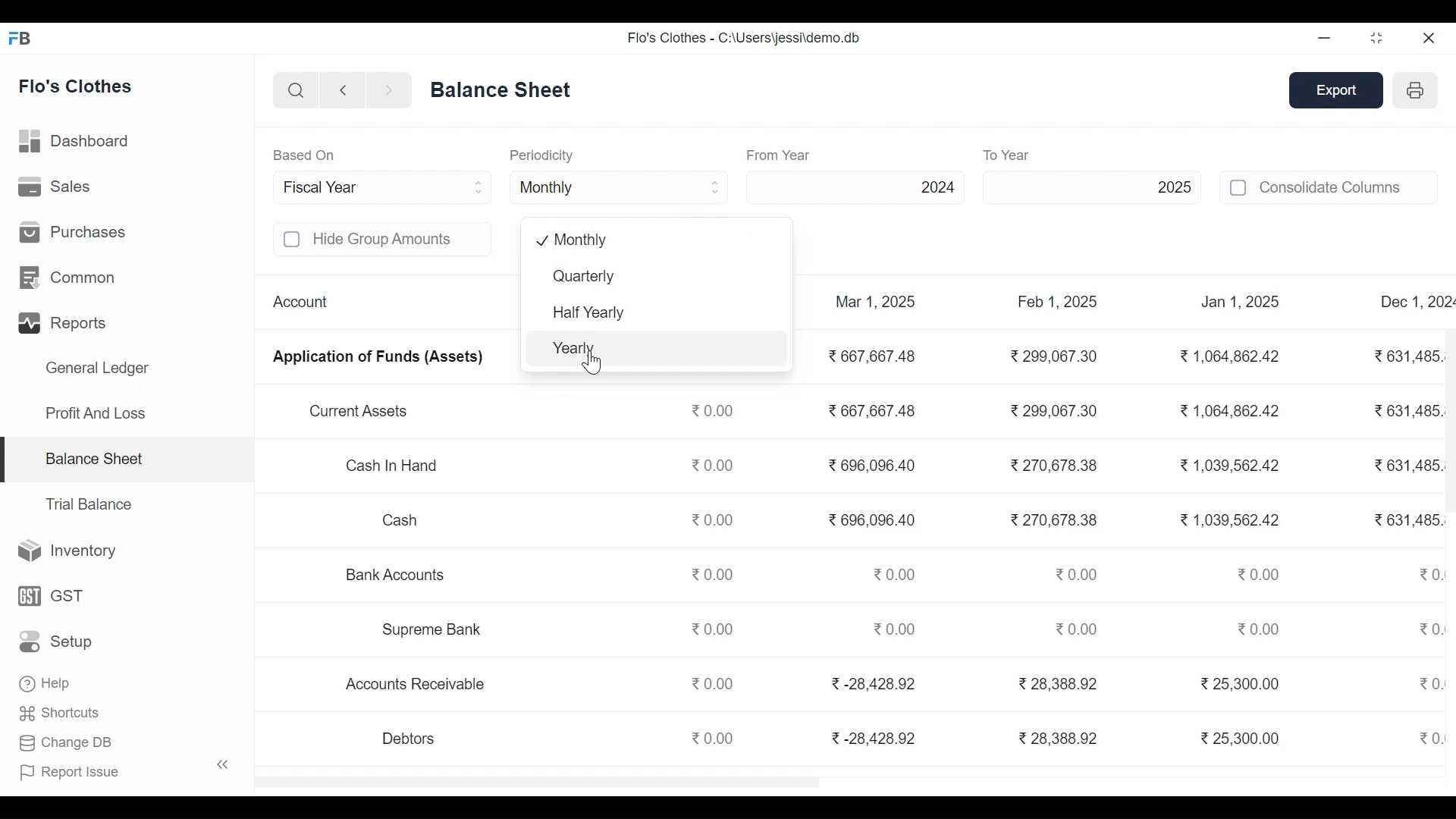  What do you see at coordinates (794, 412) in the screenshot?
I see `Current Assets 30.00 3 667,667.48 299,067.30 %1,064,862.42` at bounding box center [794, 412].